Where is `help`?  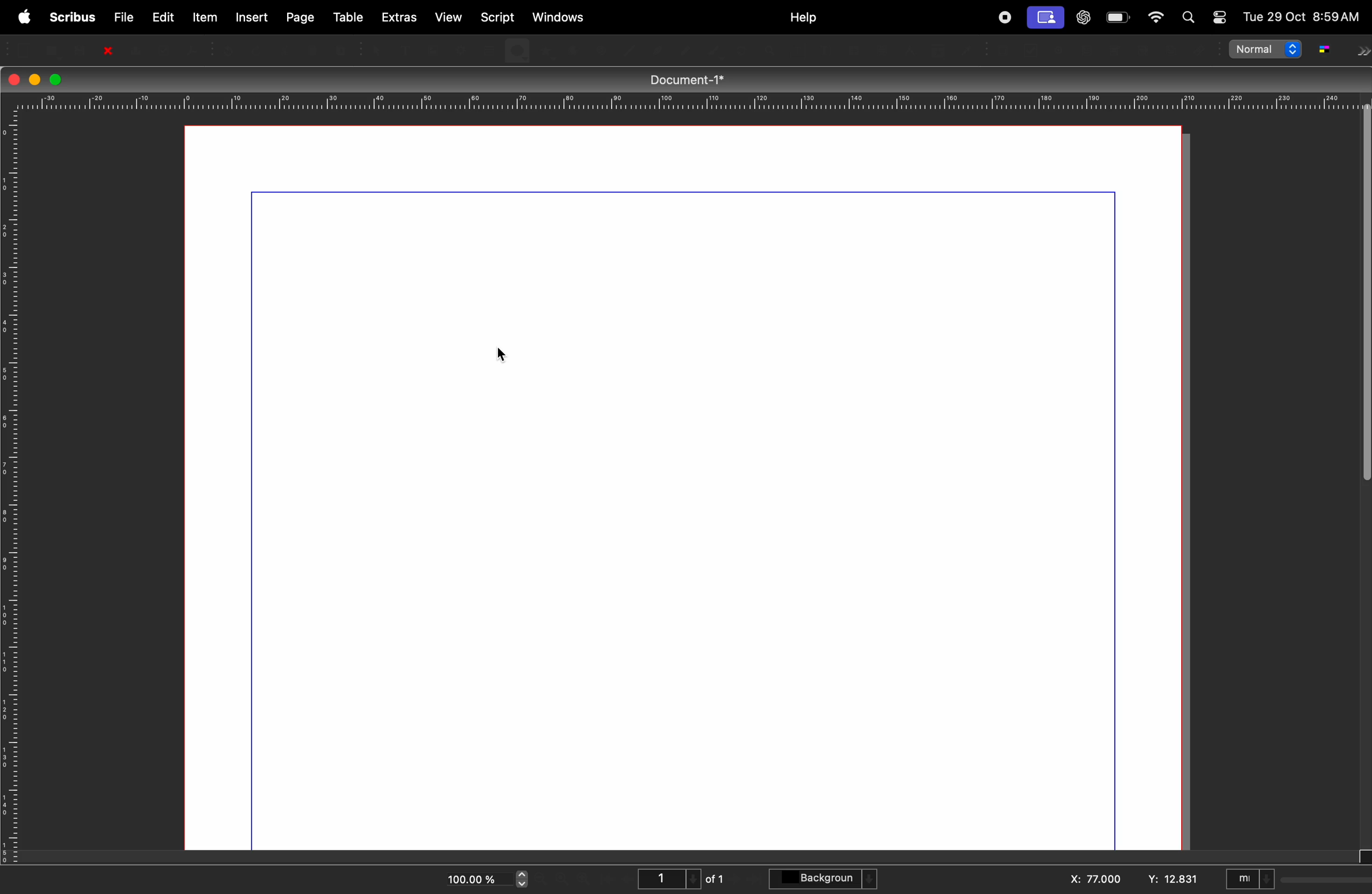
help is located at coordinates (803, 18).